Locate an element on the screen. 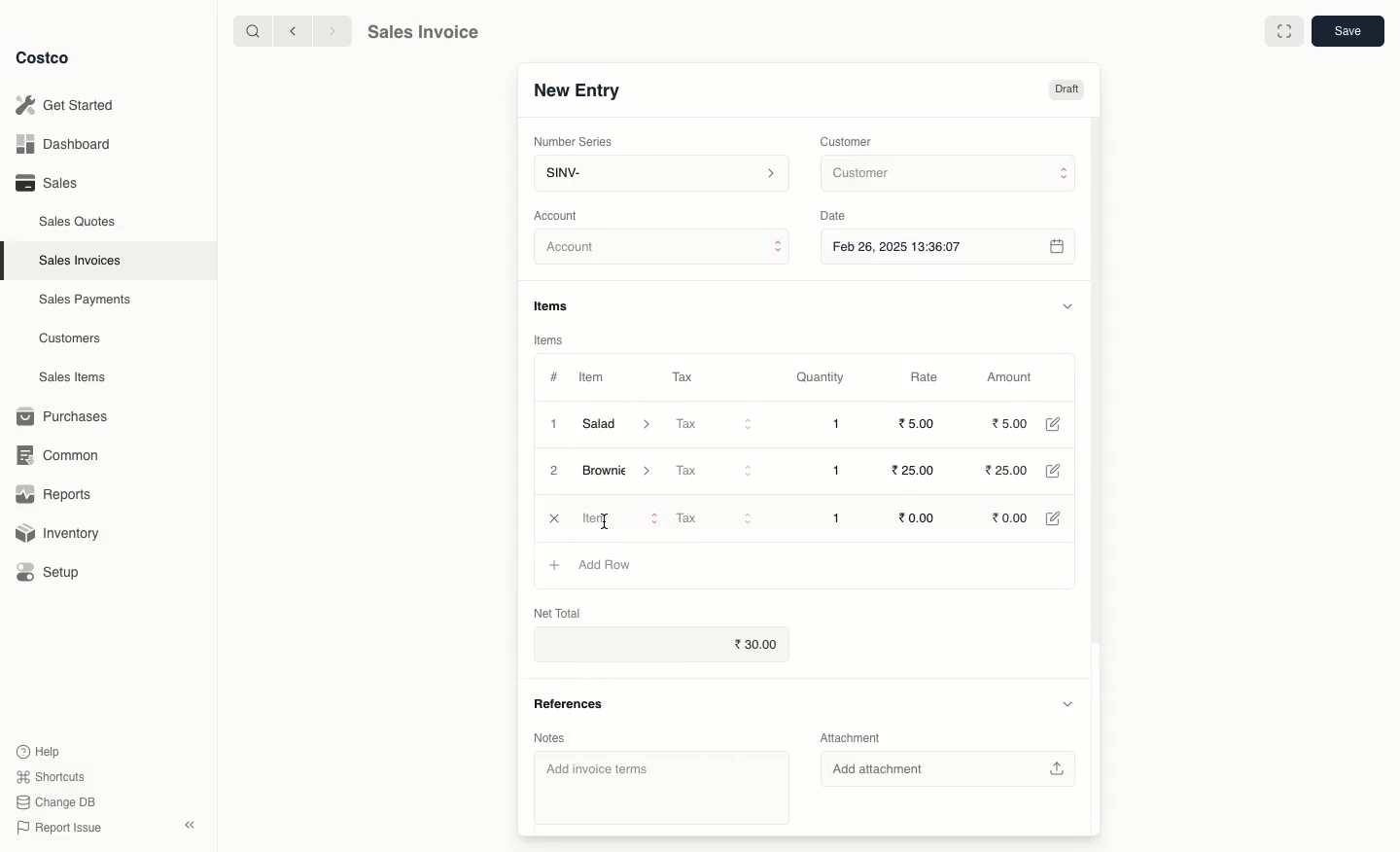 The width and height of the screenshot is (1400, 852). Sales Payments. is located at coordinates (87, 302).